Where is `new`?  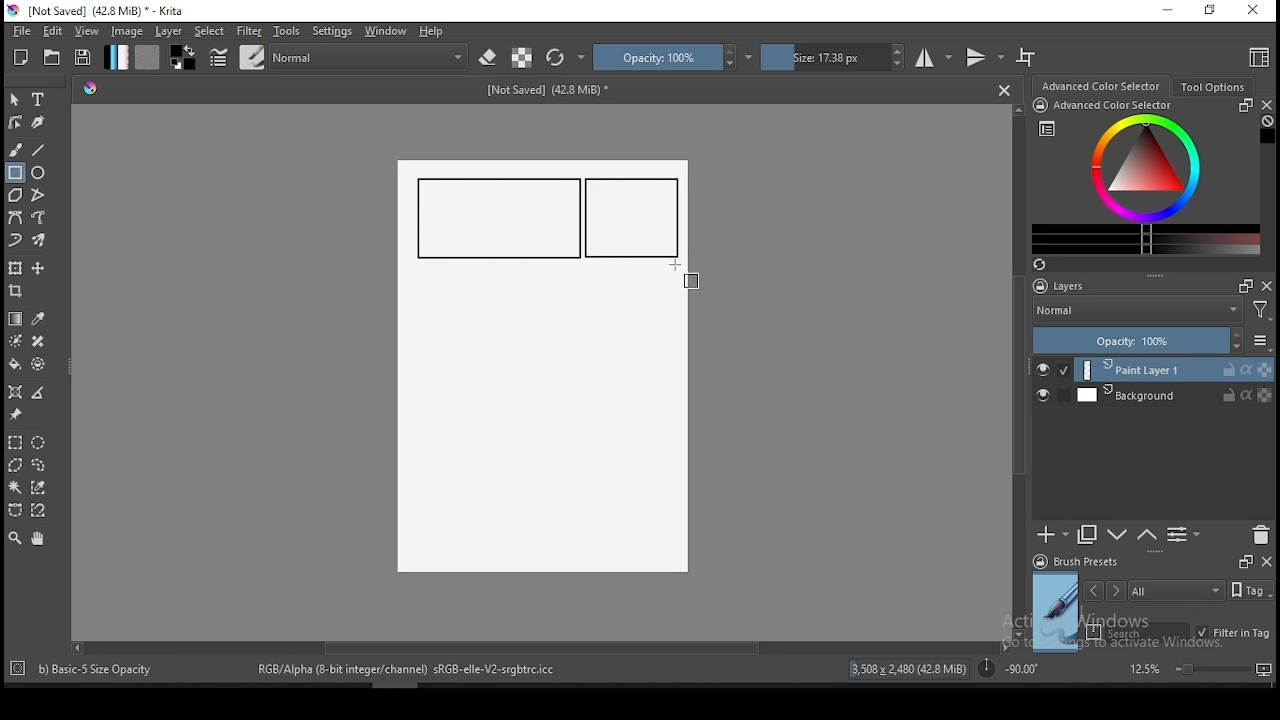
new is located at coordinates (21, 57).